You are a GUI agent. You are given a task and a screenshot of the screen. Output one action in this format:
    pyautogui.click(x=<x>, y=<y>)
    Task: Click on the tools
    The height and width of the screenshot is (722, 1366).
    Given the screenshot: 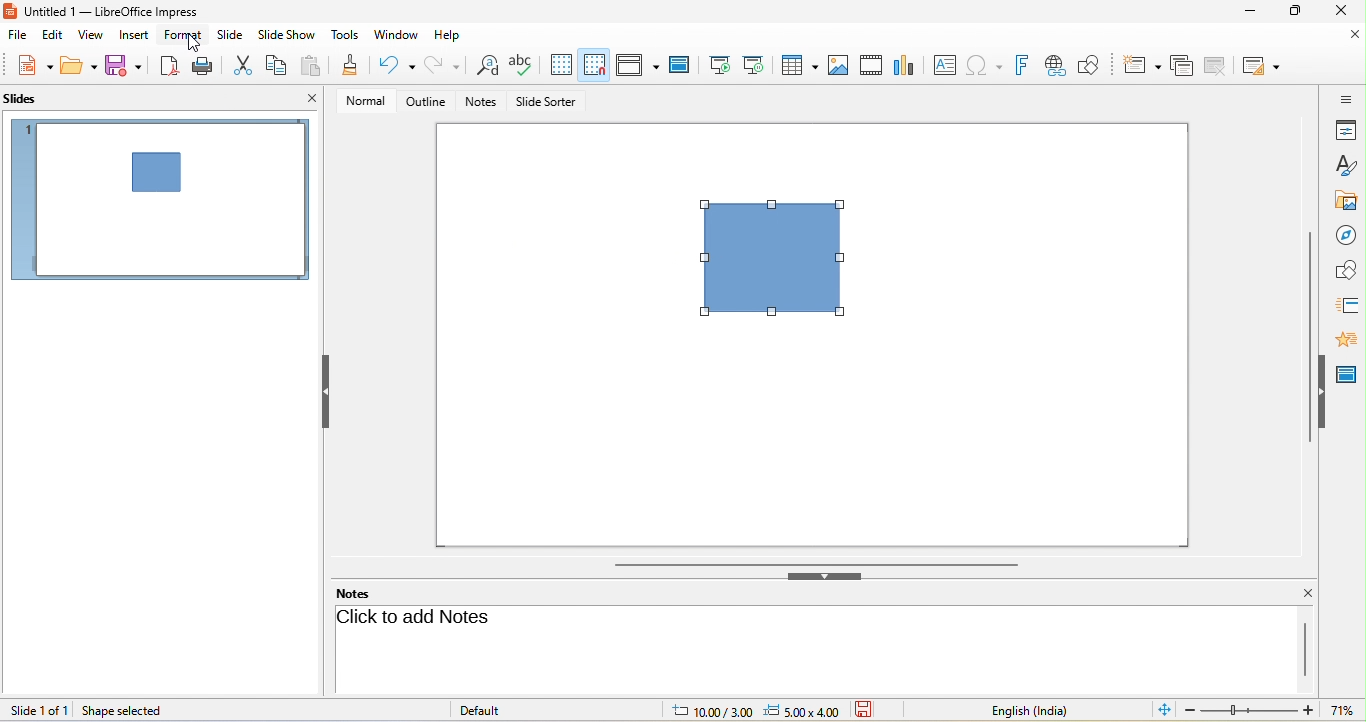 What is the action you would take?
    pyautogui.click(x=343, y=35)
    